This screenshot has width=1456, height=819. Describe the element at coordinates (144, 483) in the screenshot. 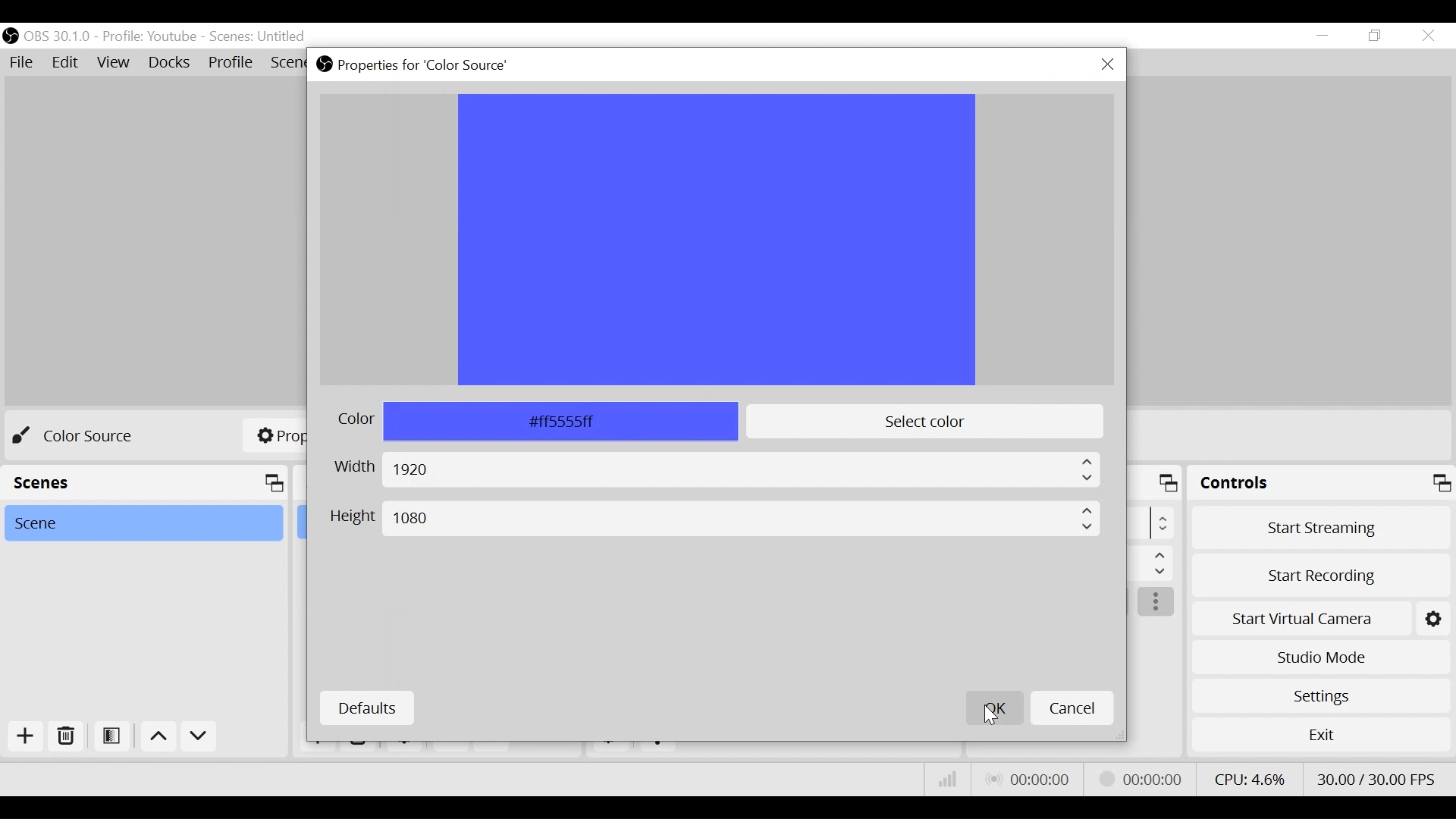

I see `Scenes` at that location.